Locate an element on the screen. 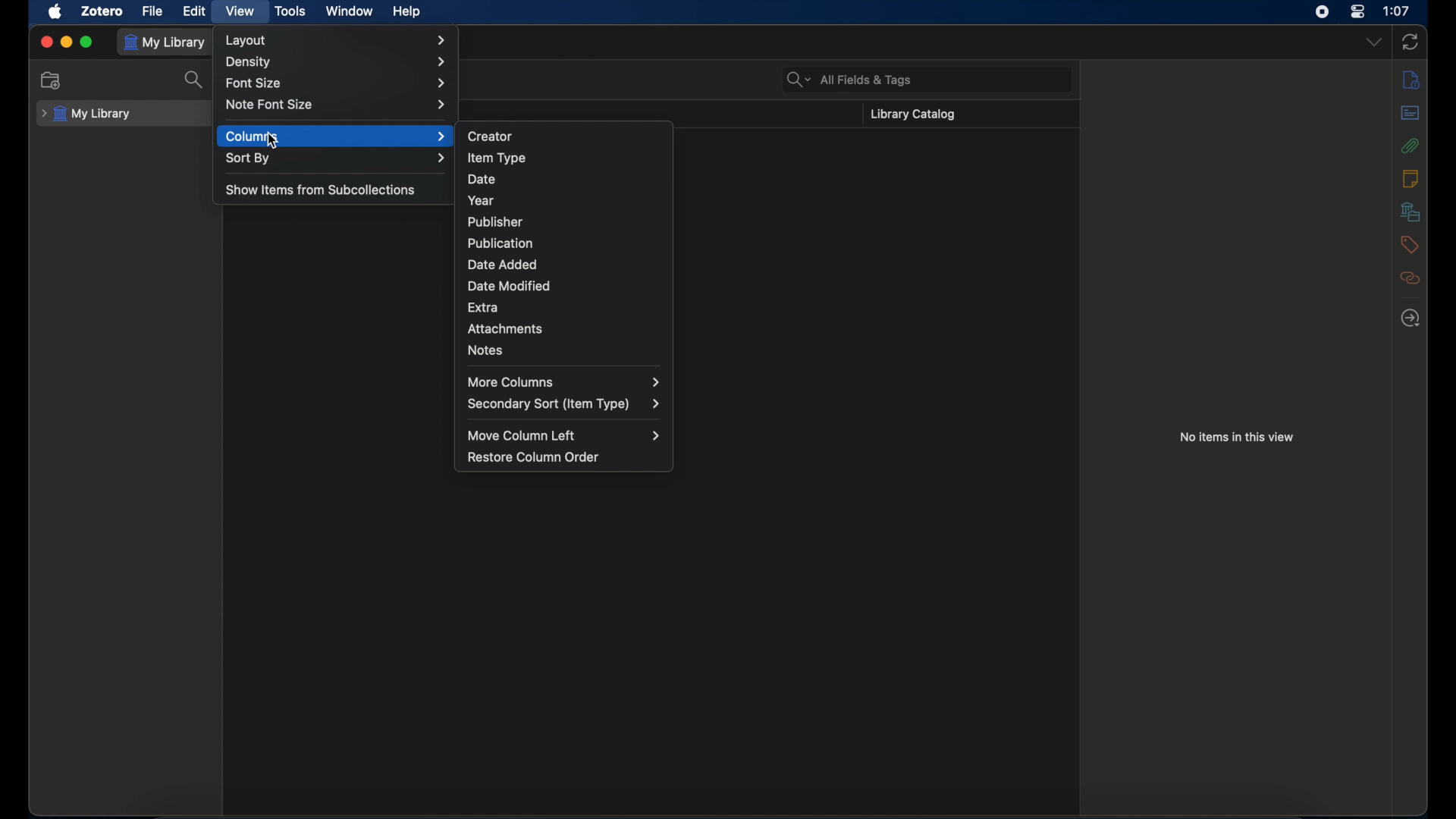  sync is located at coordinates (1410, 42).